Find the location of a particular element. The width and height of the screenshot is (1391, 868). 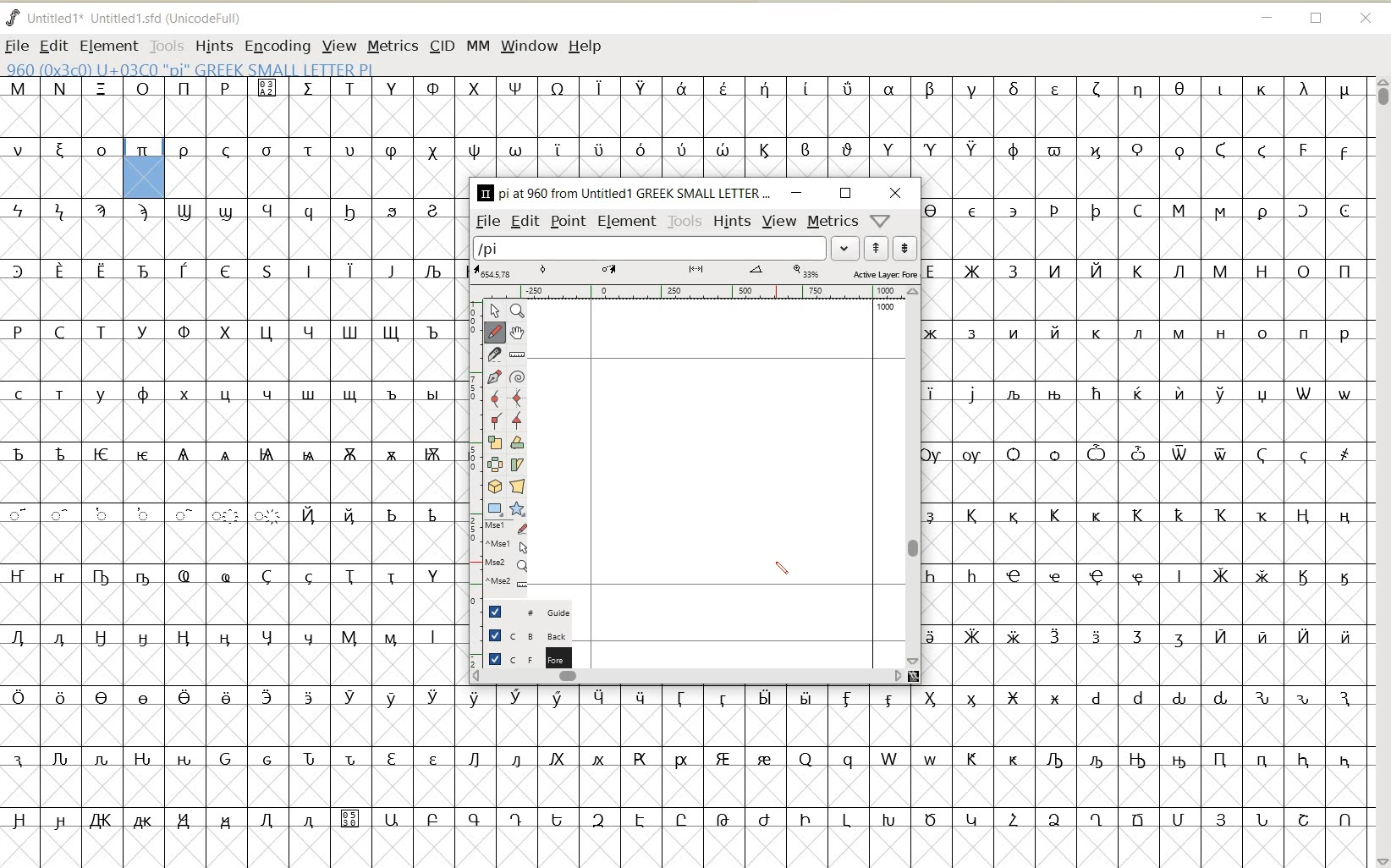

GUIDE is located at coordinates (521, 612).